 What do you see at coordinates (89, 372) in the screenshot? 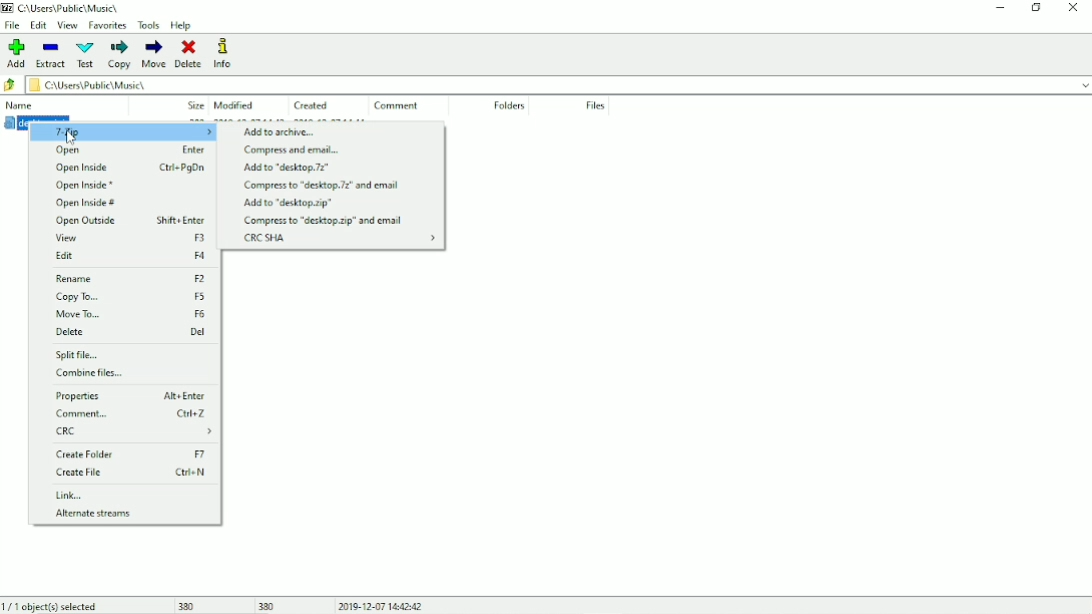
I see `Combine files` at bounding box center [89, 372].